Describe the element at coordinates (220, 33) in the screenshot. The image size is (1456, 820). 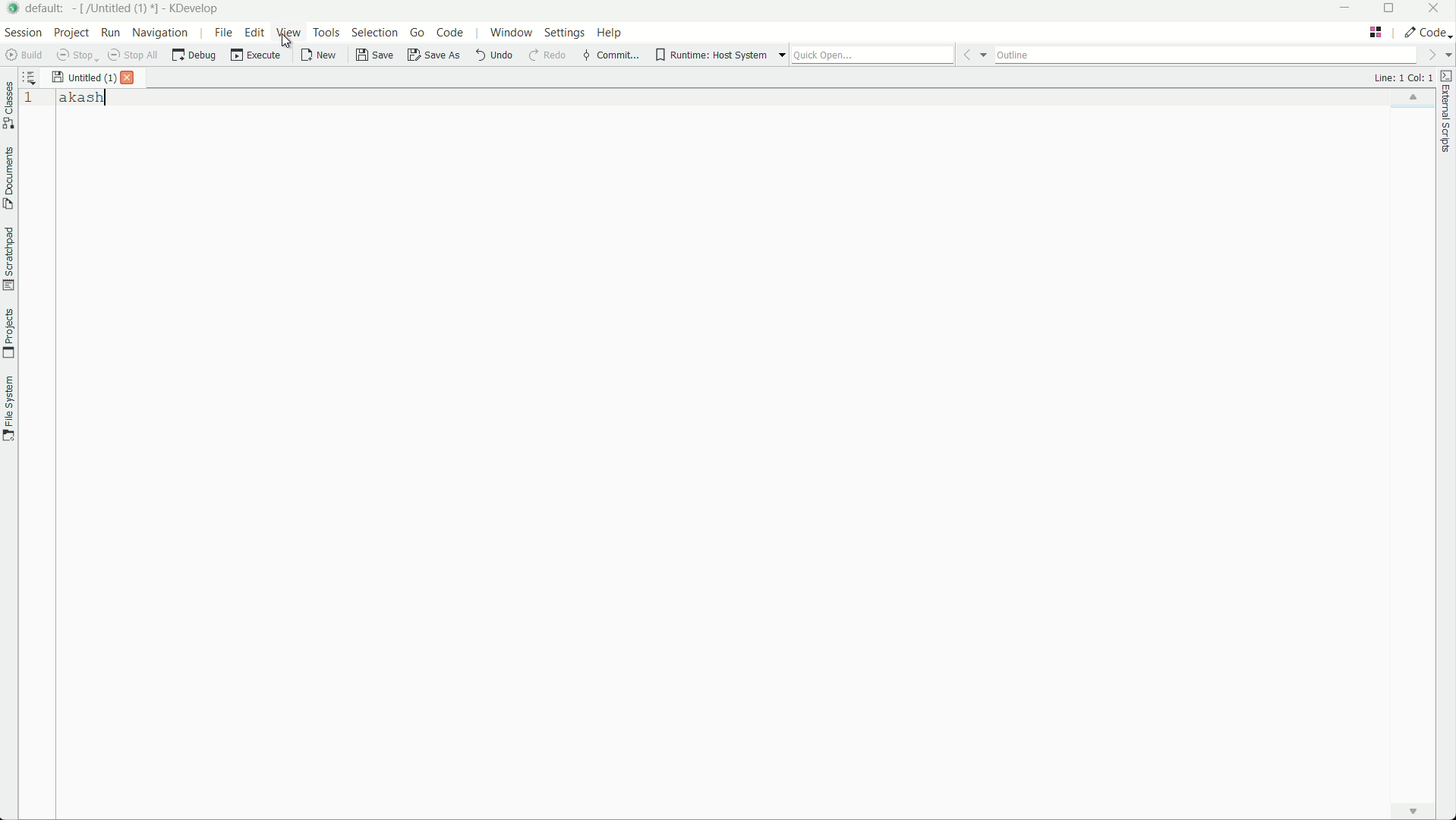
I see `file` at that location.